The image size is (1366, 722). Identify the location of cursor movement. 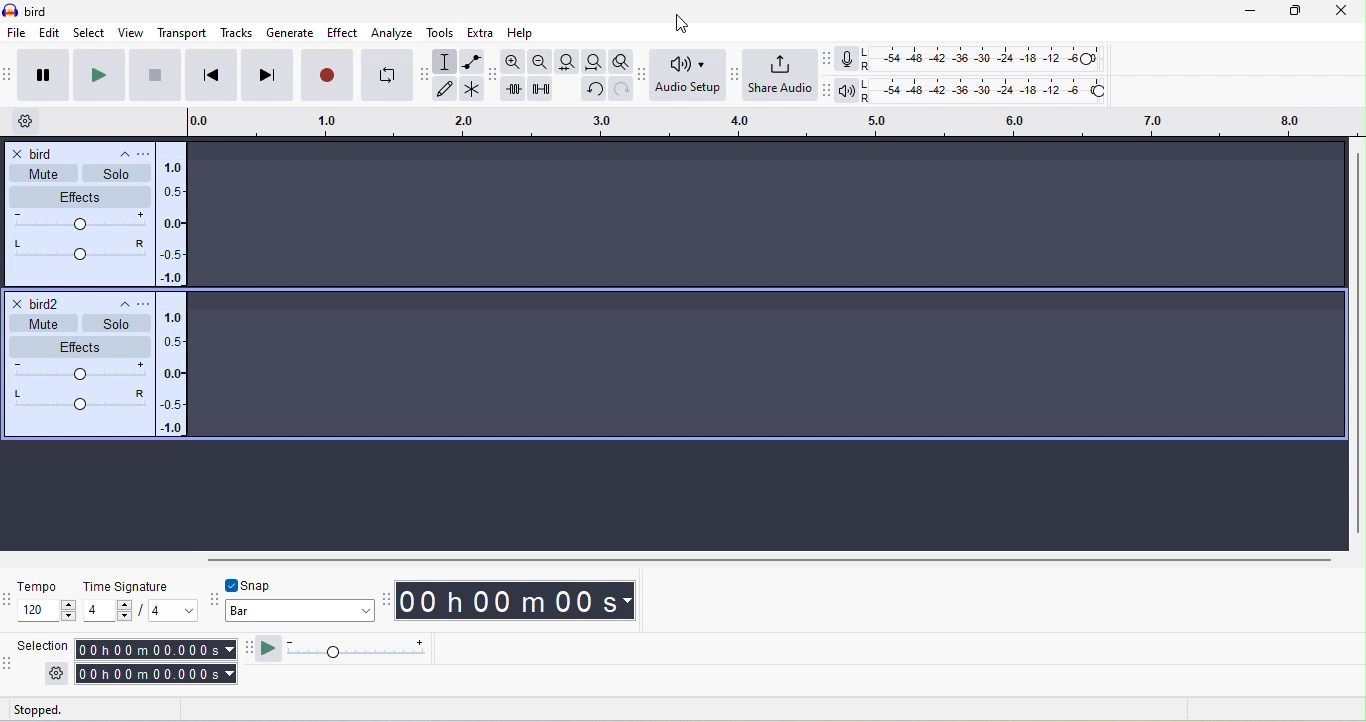
(680, 24).